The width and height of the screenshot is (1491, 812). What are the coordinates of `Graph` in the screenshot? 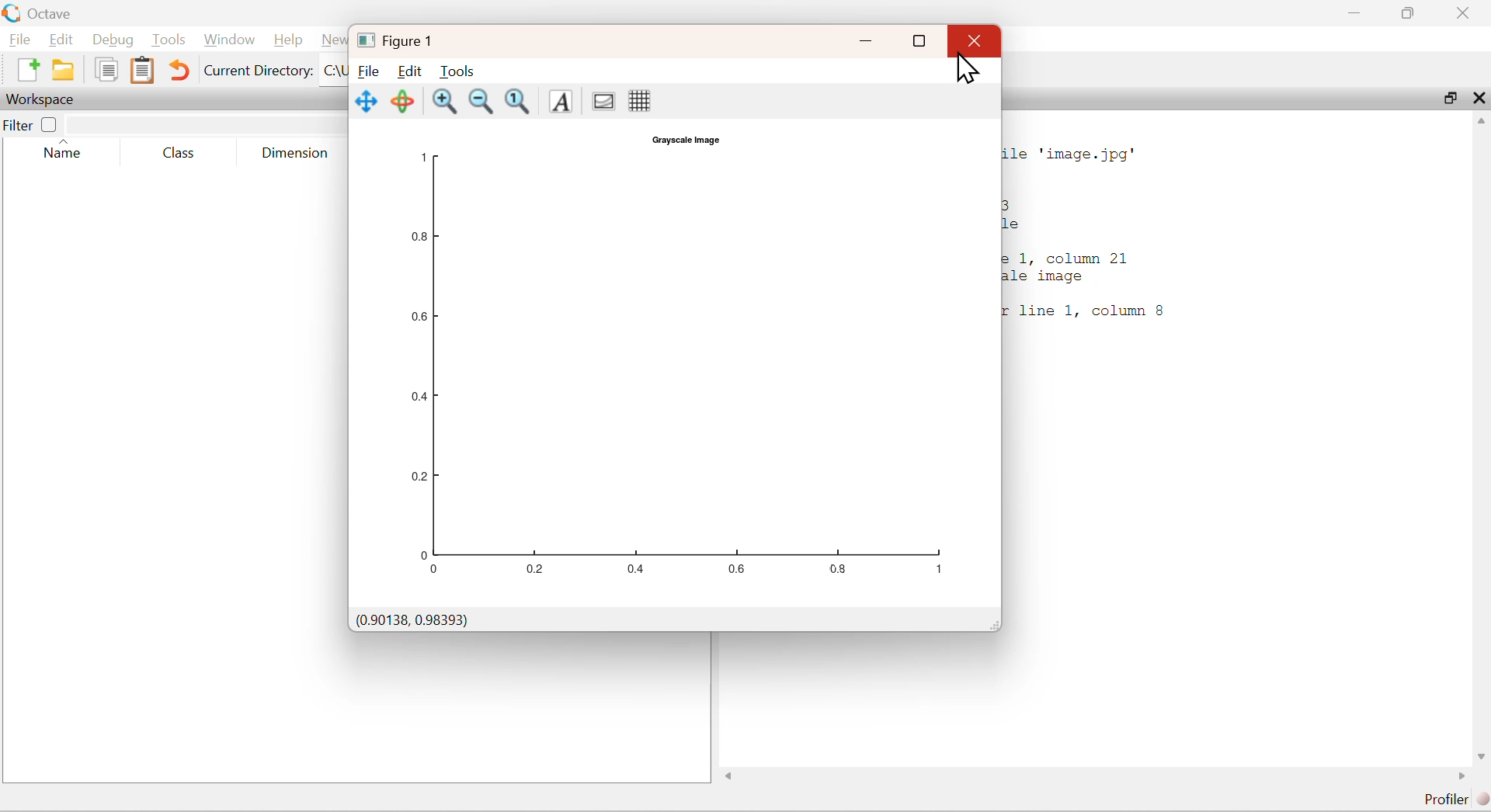 It's located at (673, 366).